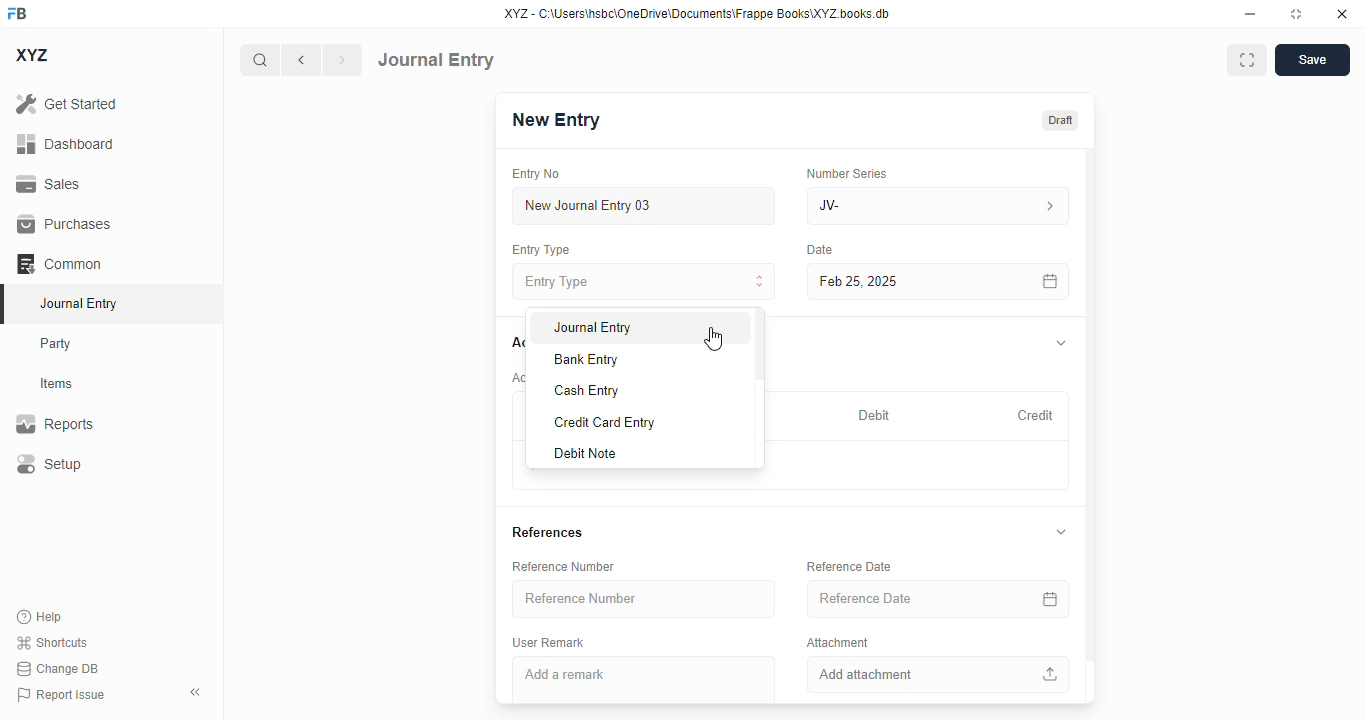 This screenshot has width=1366, height=720. What do you see at coordinates (66, 103) in the screenshot?
I see `get started` at bounding box center [66, 103].